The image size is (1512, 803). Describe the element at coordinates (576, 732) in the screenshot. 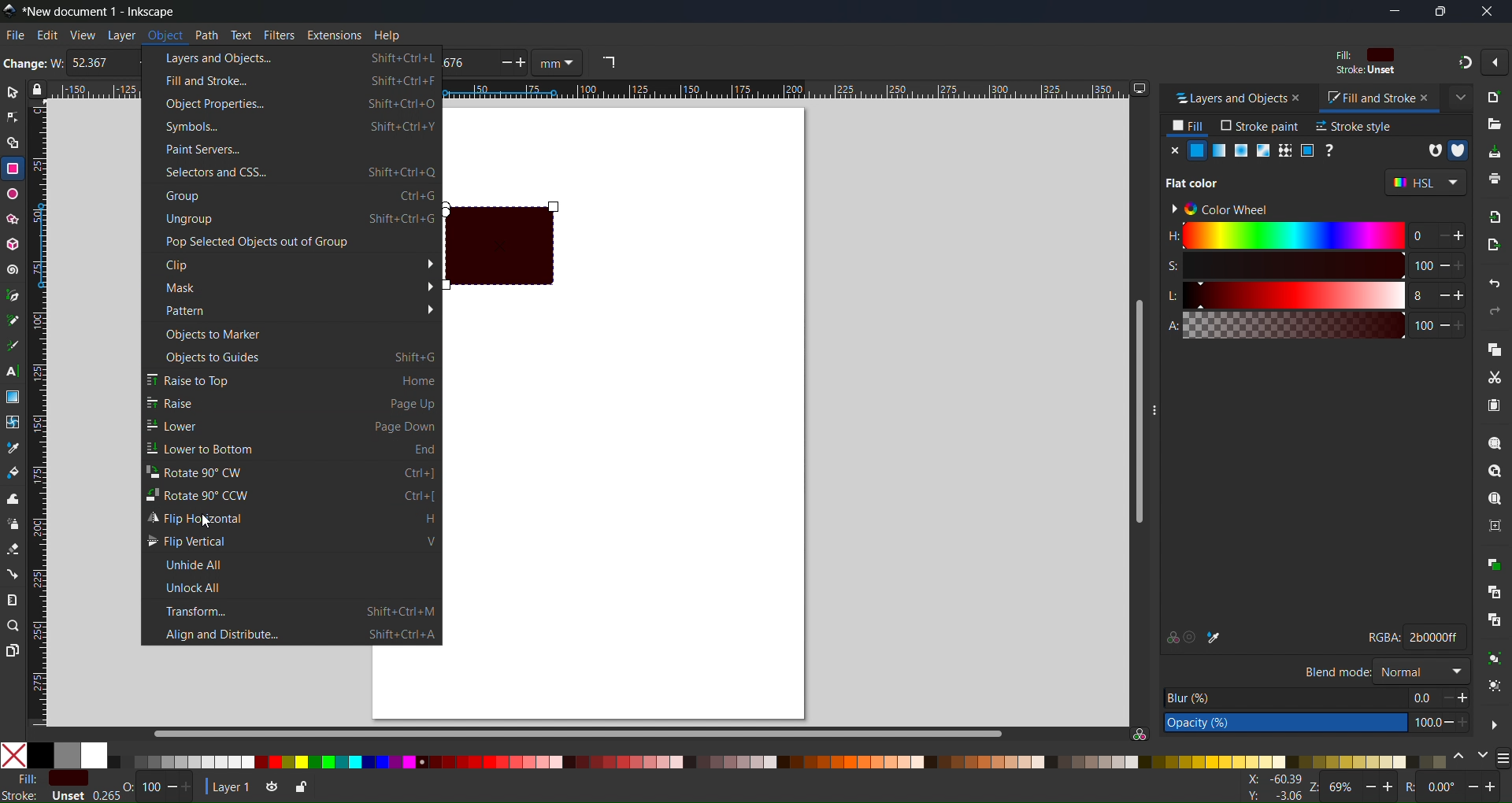

I see `Horizontal scroll bar` at that location.